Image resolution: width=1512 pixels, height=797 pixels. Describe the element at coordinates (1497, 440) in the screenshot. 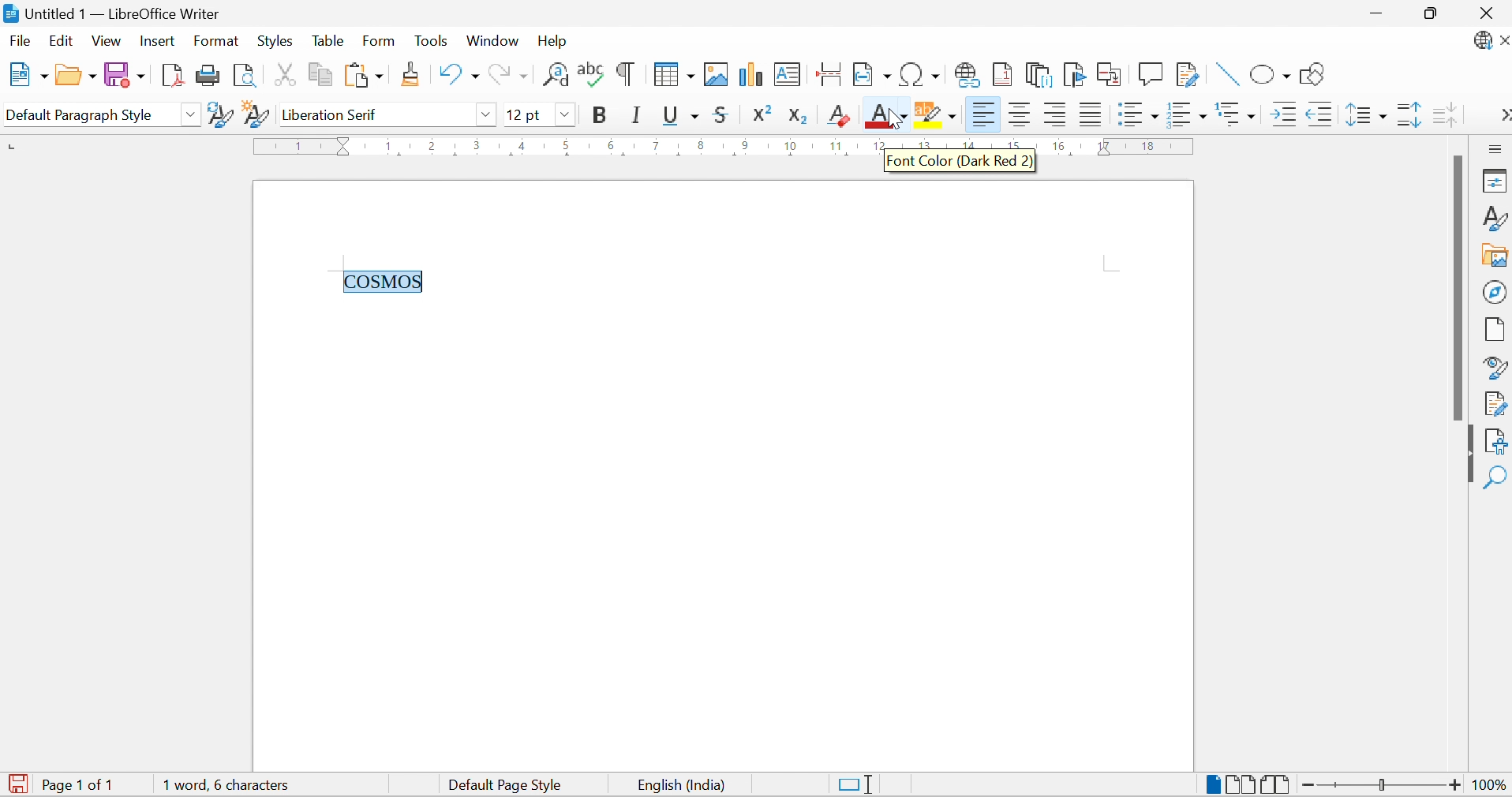

I see `Accessibility Check` at that location.